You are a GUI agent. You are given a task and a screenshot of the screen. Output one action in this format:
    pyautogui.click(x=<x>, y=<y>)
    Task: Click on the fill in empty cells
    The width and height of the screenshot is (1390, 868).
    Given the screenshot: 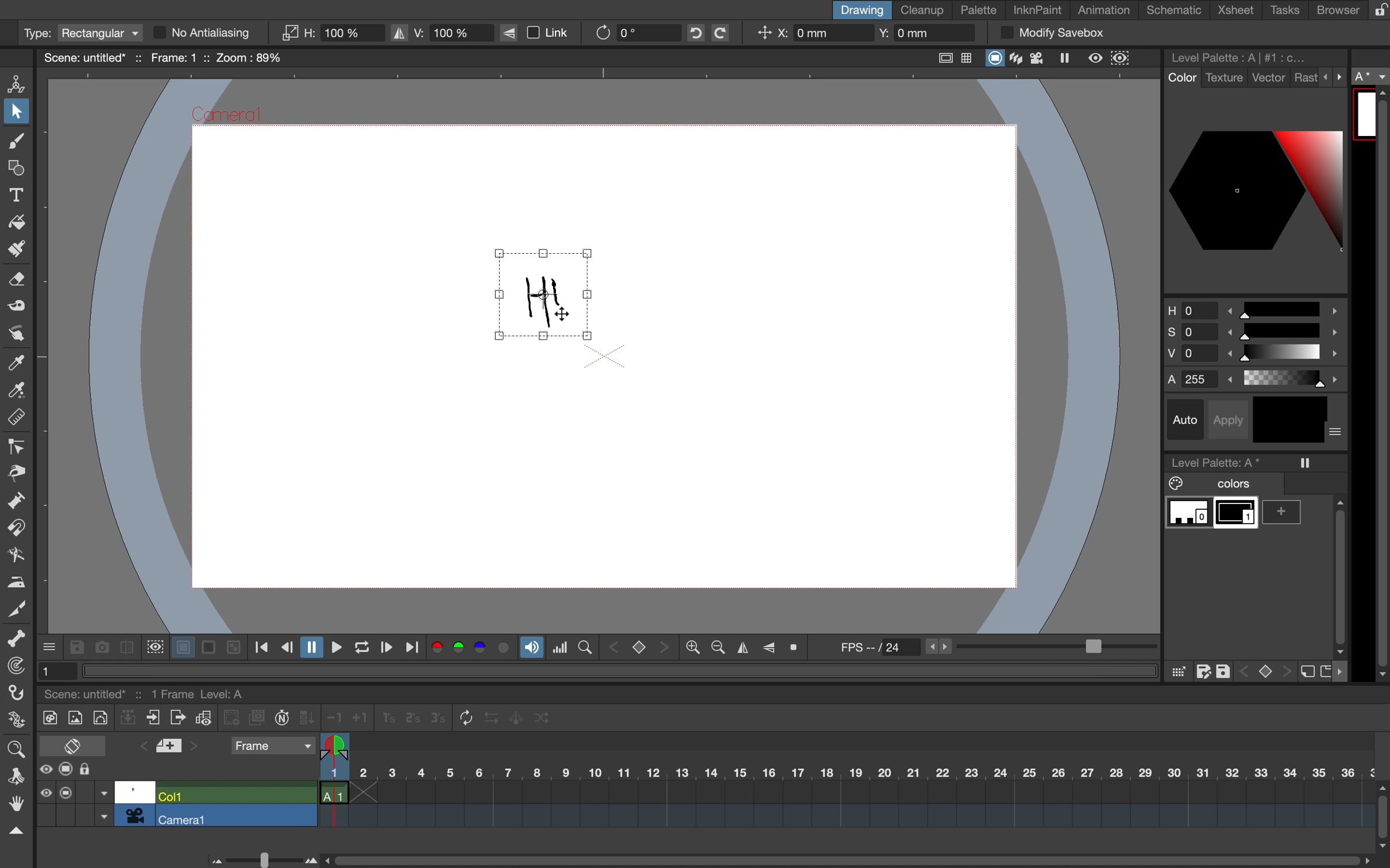 What is the action you would take?
    pyautogui.click(x=308, y=718)
    